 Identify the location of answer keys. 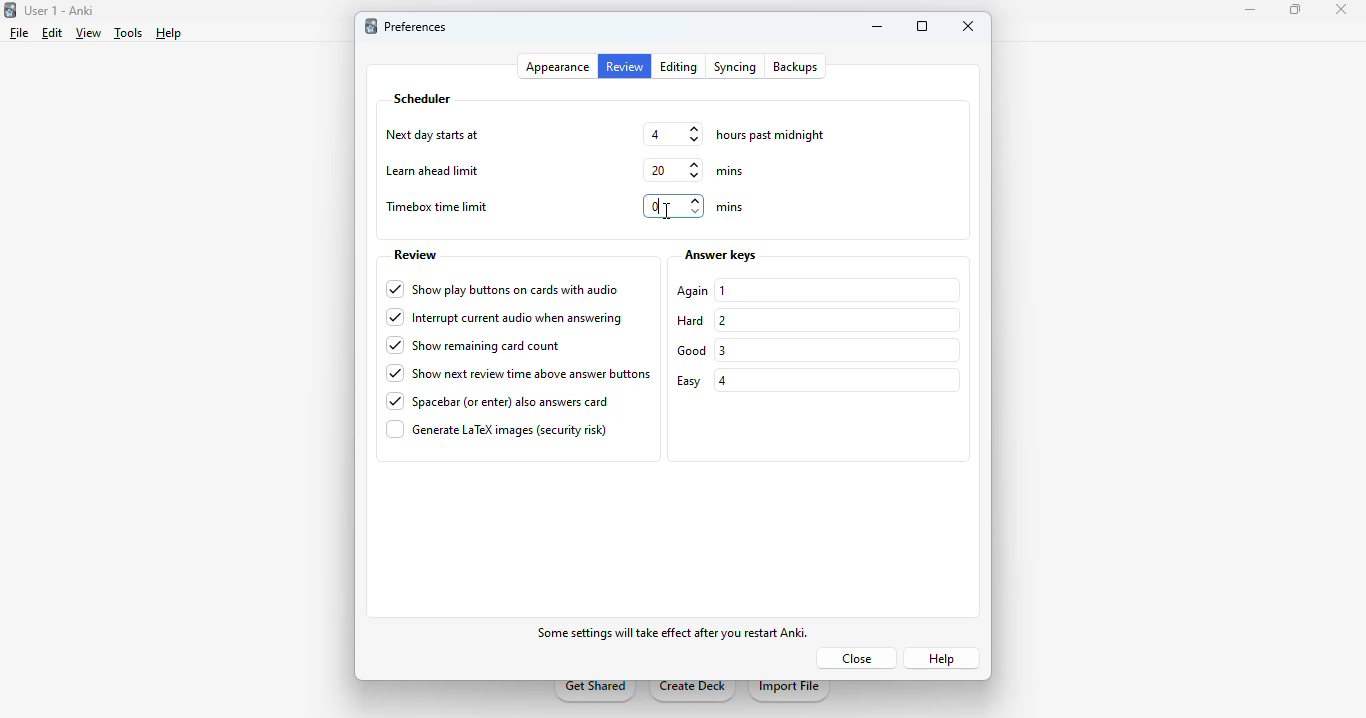
(720, 255).